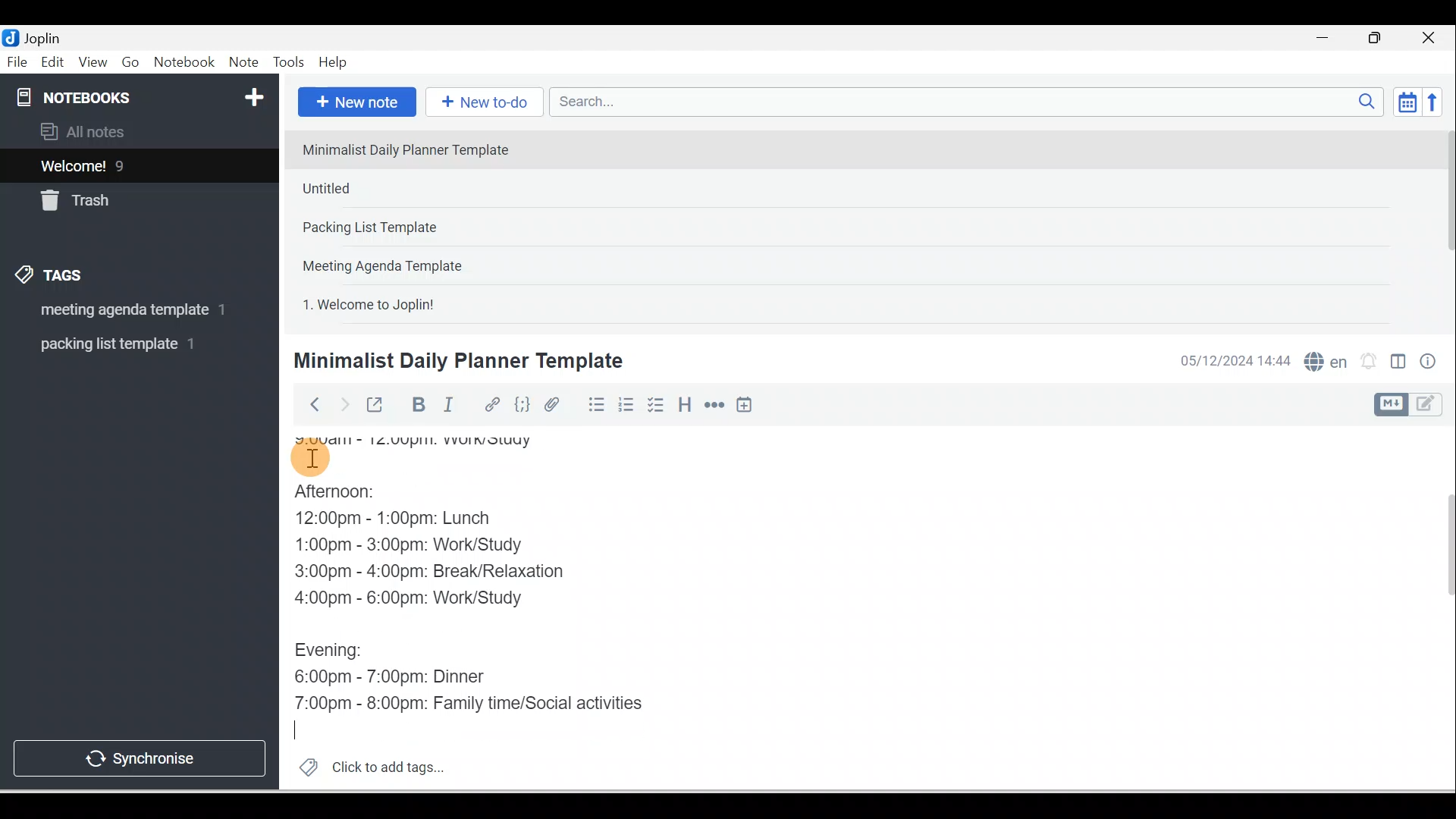 The height and width of the screenshot is (819, 1456). What do you see at coordinates (339, 653) in the screenshot?
I see `Evening:` at bounding box center [339, 653].